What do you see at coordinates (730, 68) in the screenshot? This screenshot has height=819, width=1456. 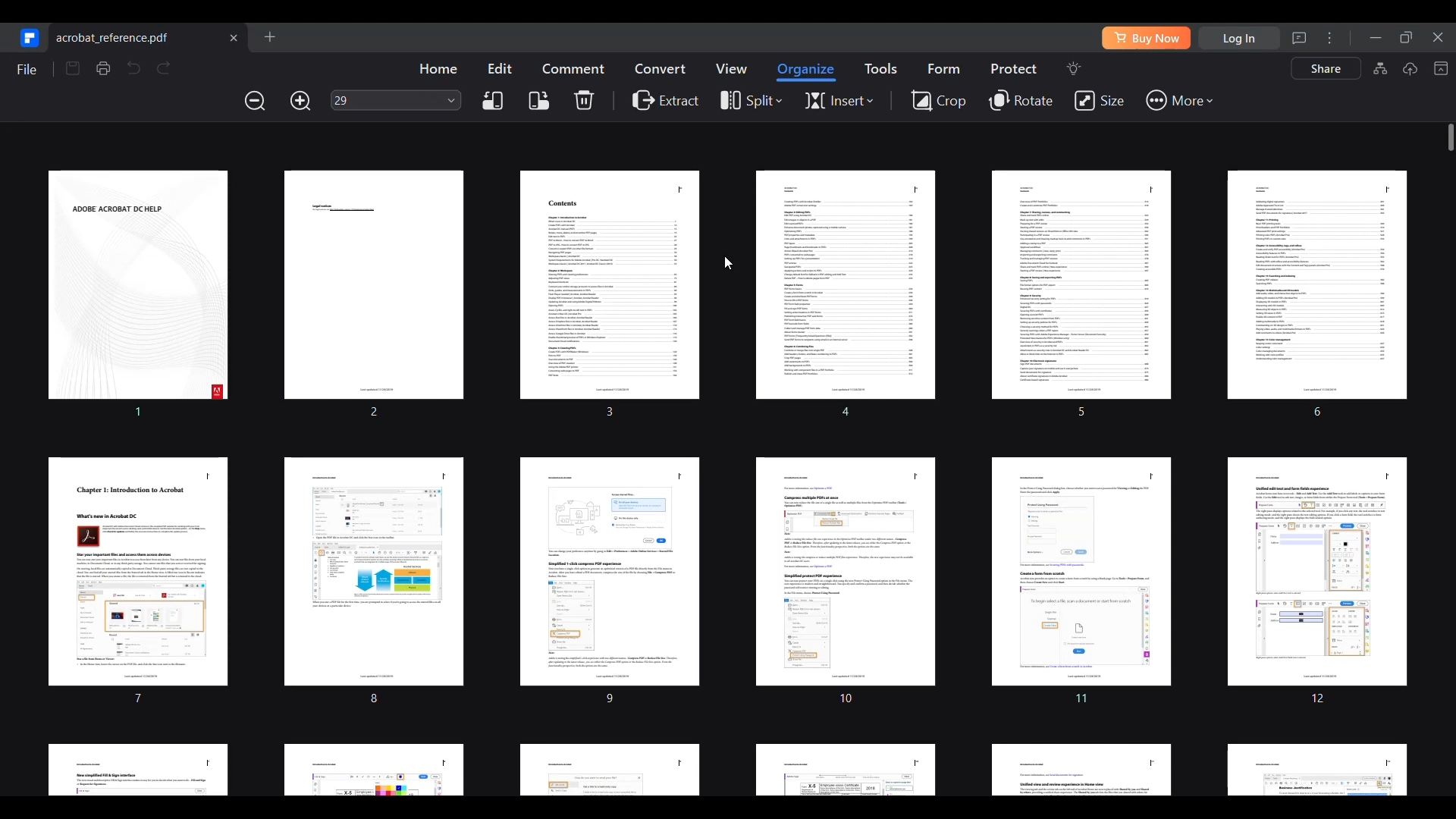 I see `View` at bounding box center [730, 68].